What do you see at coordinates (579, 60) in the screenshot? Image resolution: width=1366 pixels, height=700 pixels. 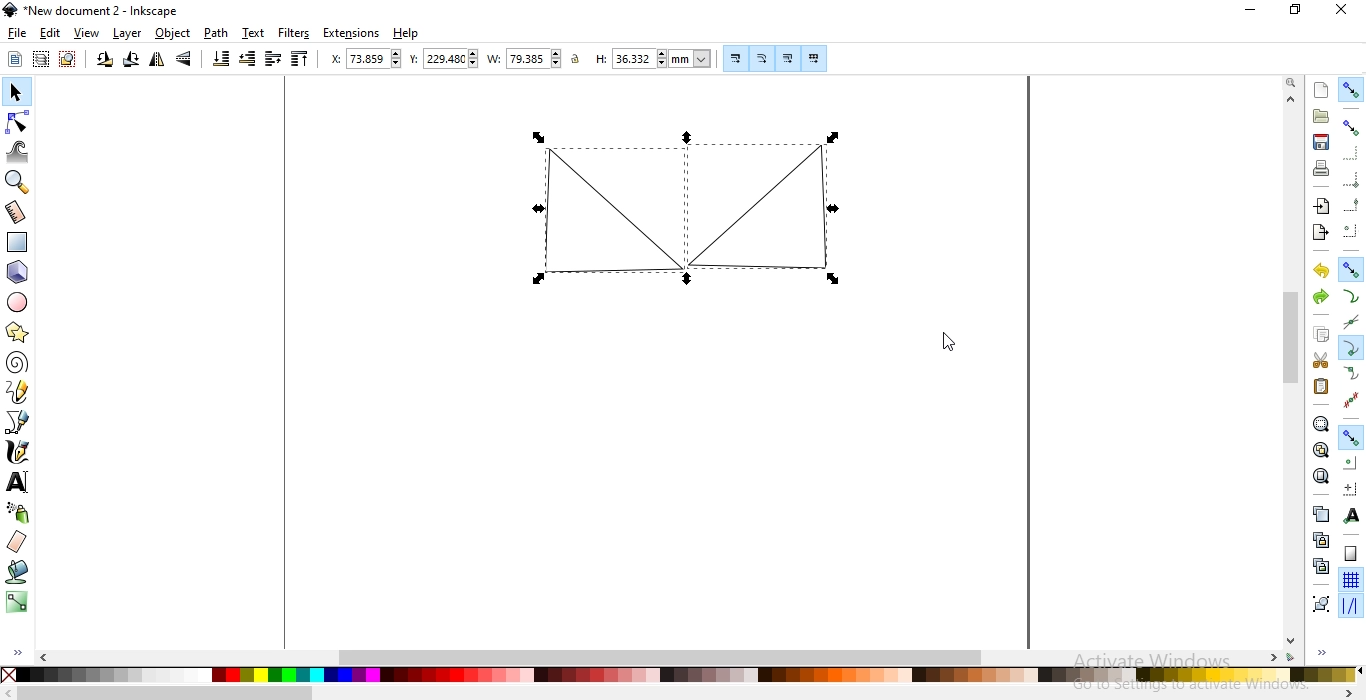 I see `unlock` at bounding box center [579, 60].